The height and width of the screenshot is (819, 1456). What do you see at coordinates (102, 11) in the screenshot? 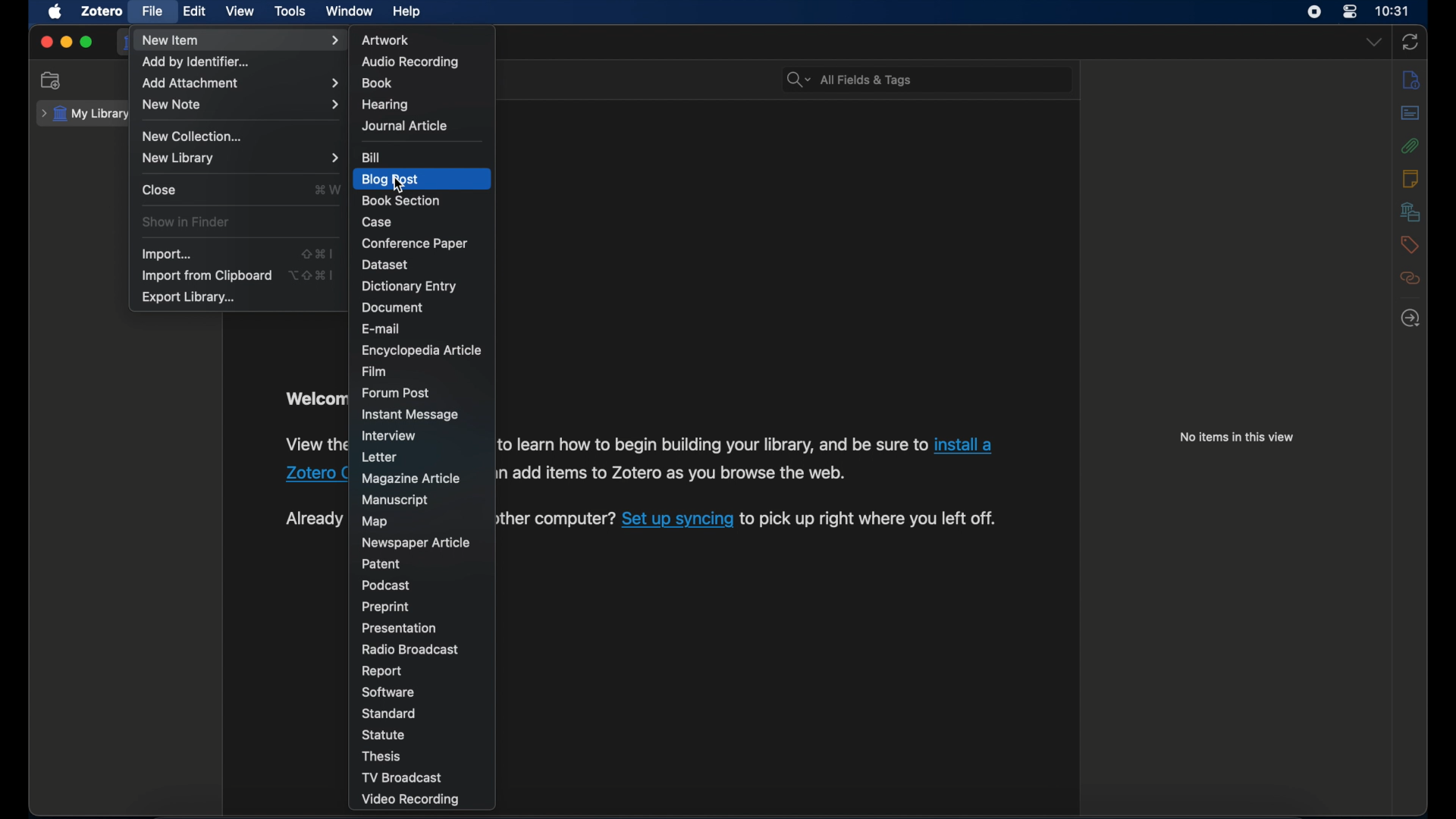
I see `zotero` at bounding box center [102, 11].